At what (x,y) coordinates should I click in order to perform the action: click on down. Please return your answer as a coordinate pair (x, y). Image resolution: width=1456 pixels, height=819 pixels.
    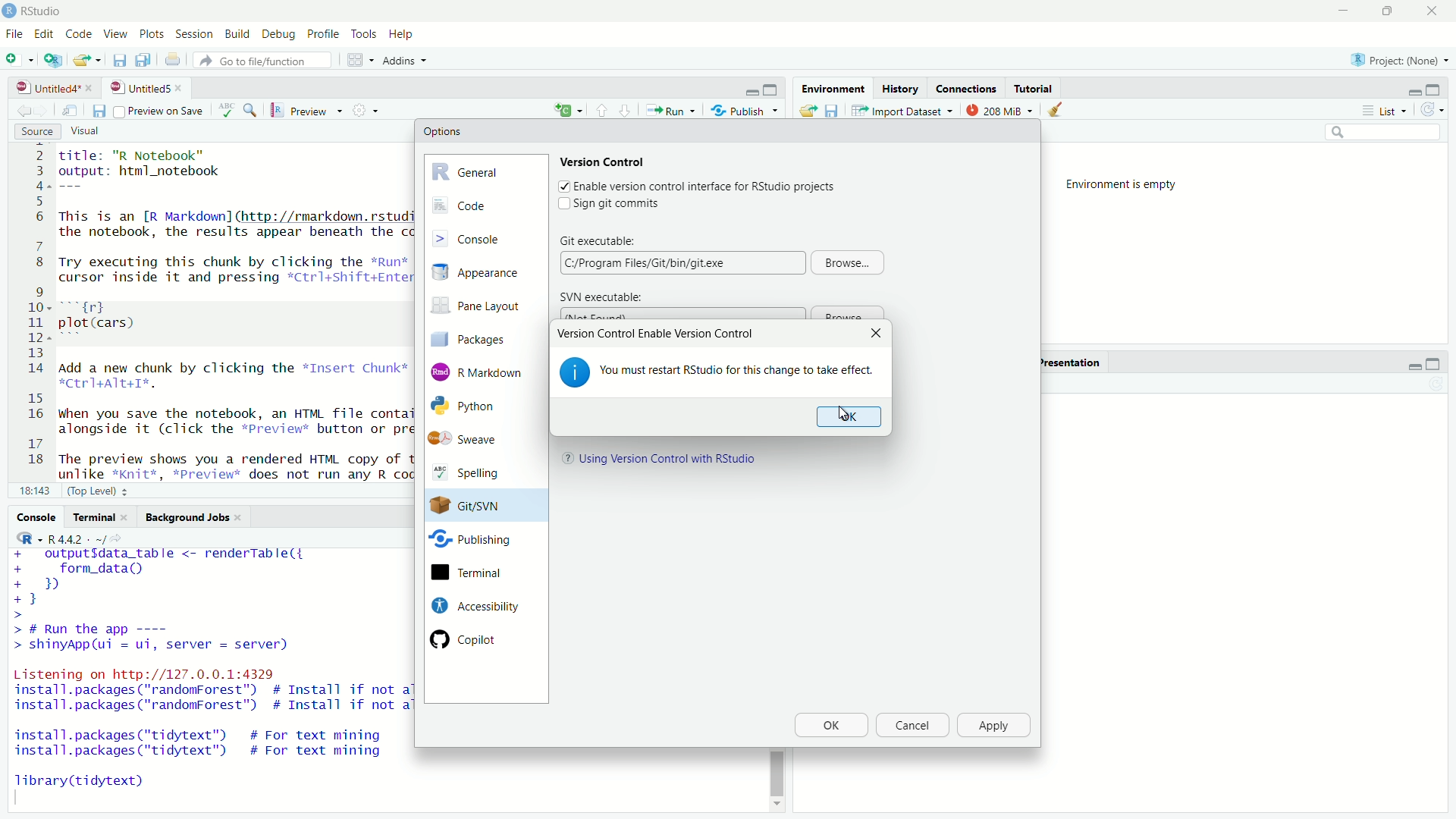
    Looking at the image, I should click on (602, 109).